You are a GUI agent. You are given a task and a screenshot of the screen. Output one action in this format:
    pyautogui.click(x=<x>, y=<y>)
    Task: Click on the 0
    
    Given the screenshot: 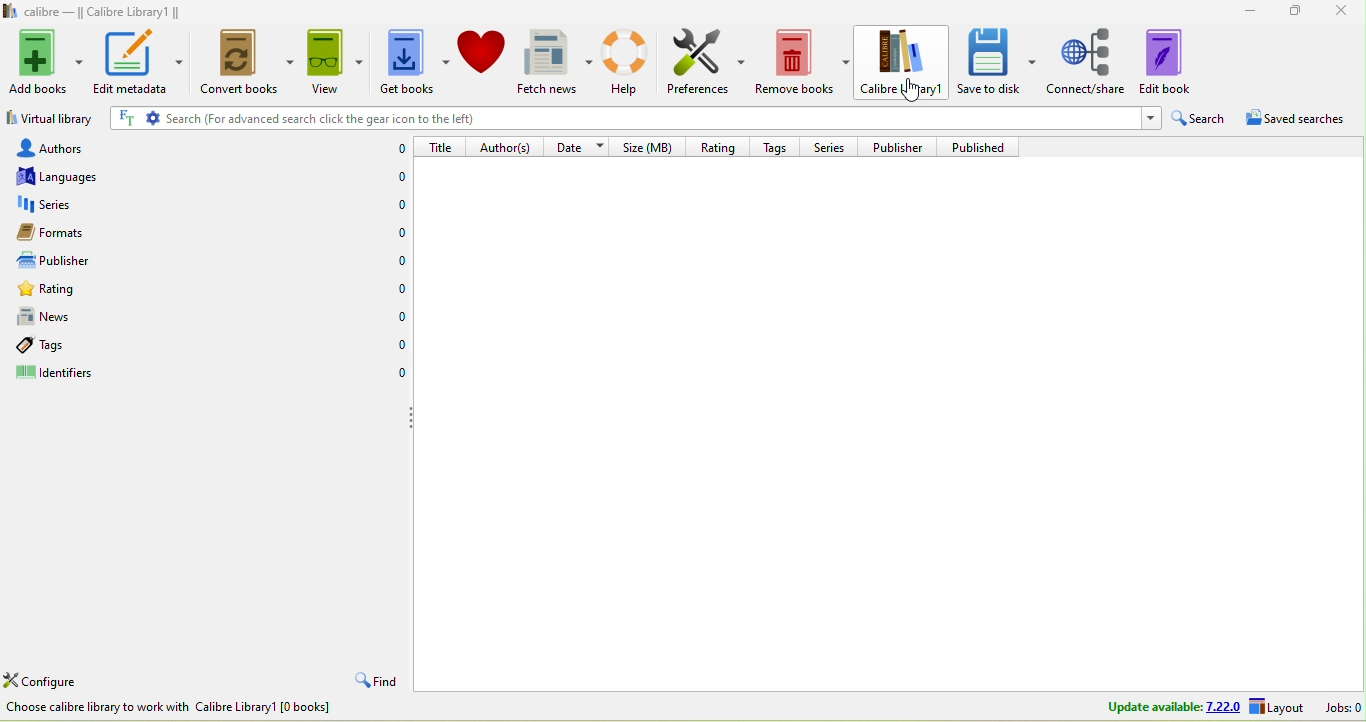 What is the action you would take?
    pyautogui.click(x=394, y=149)
    